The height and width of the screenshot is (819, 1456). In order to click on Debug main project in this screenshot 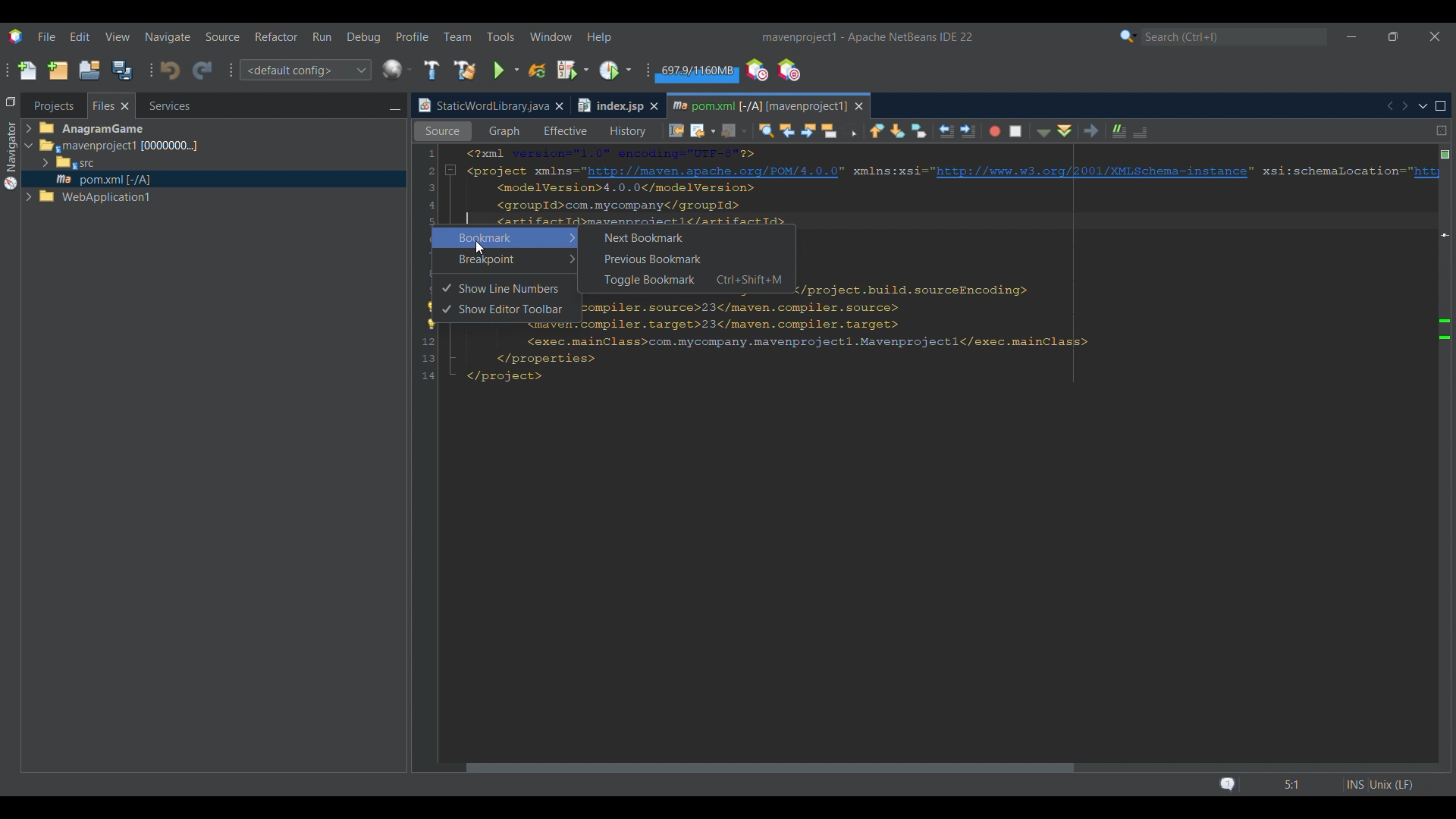, I will do `click(573, 70)`.